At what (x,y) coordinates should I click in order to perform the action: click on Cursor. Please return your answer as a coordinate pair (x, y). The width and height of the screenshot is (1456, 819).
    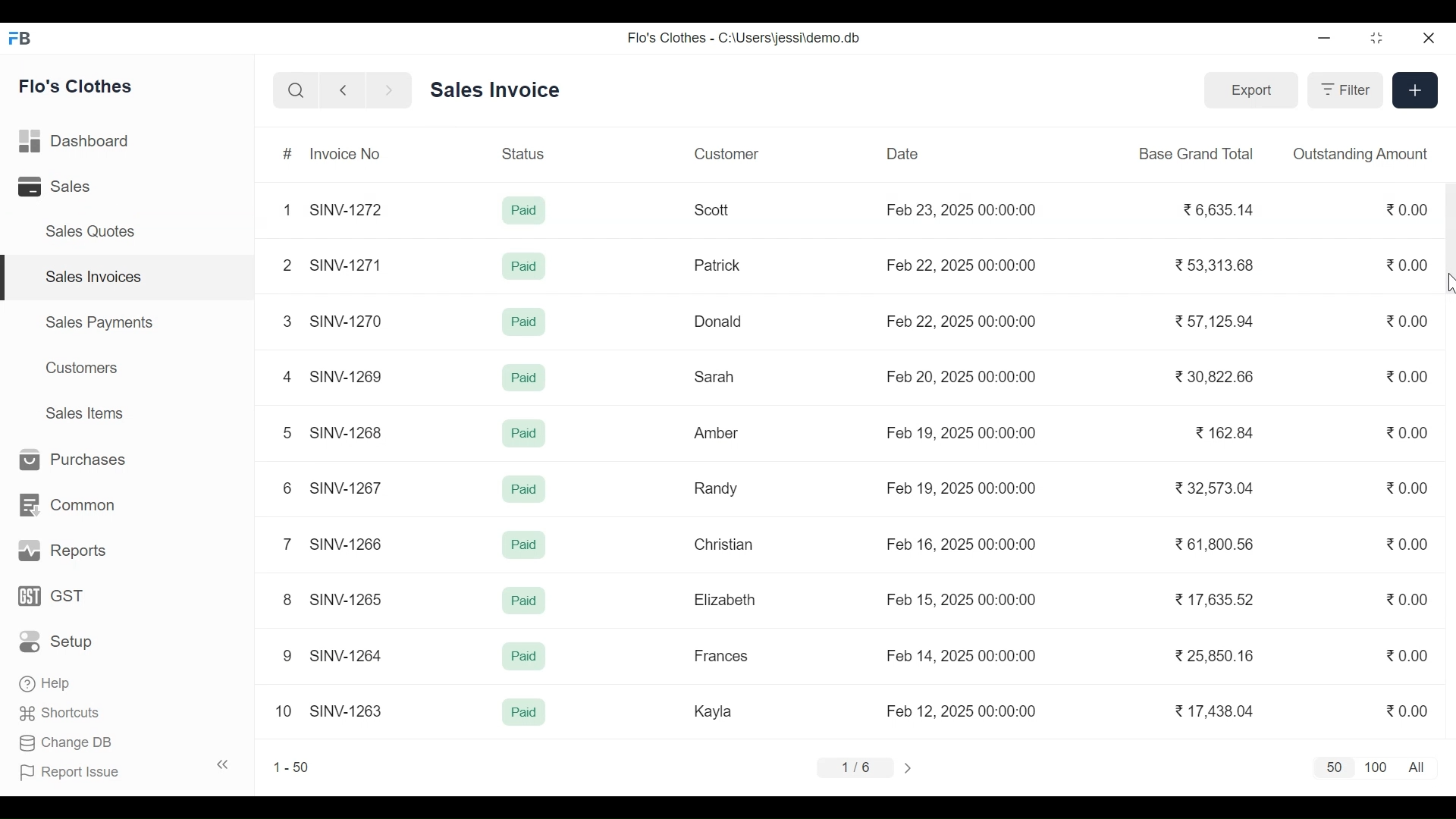
    Looking at the image, I should click on (1447, 283).